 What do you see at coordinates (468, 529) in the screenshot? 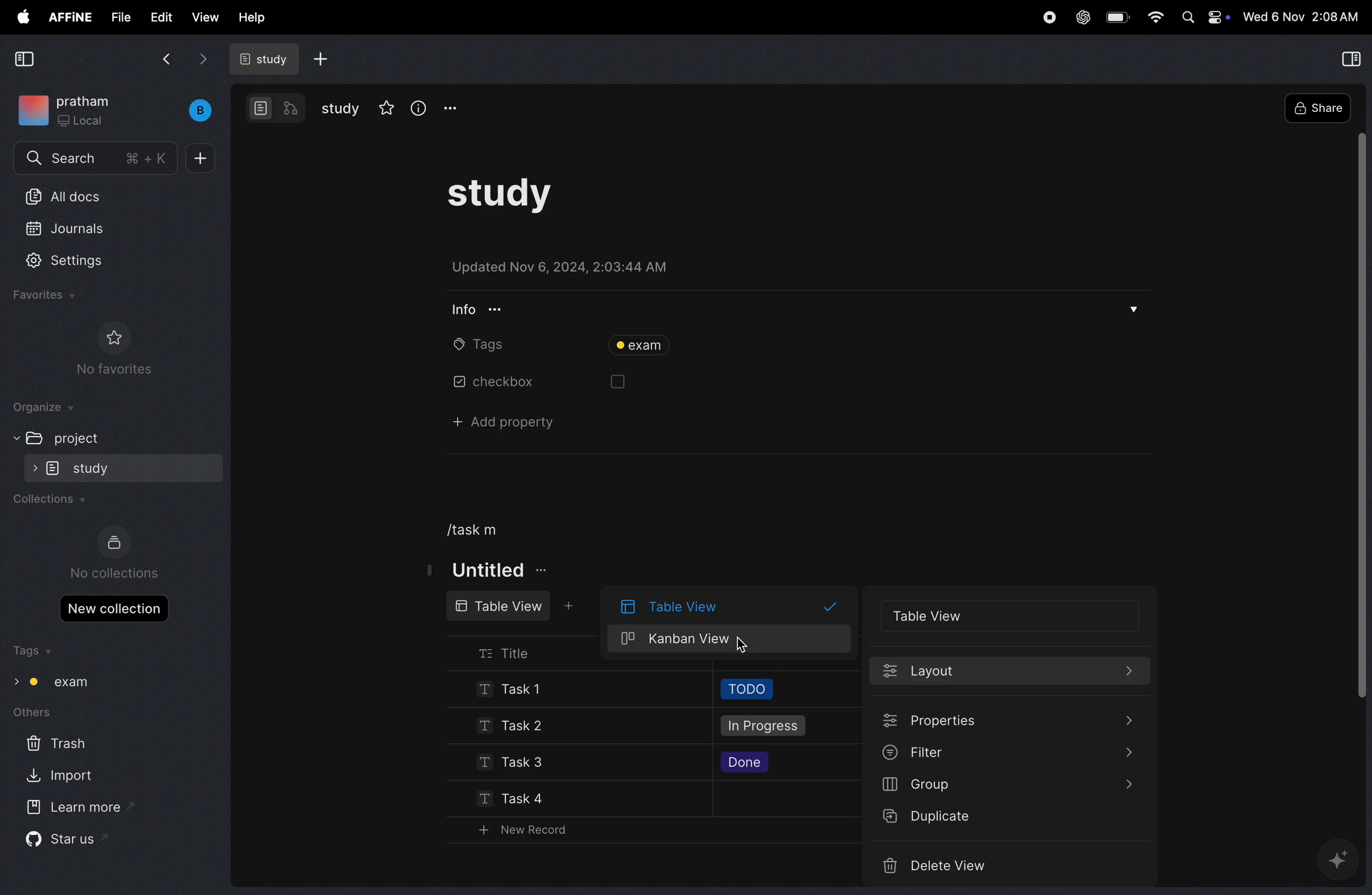
I see `/task m` at bounding box center [468, 529].